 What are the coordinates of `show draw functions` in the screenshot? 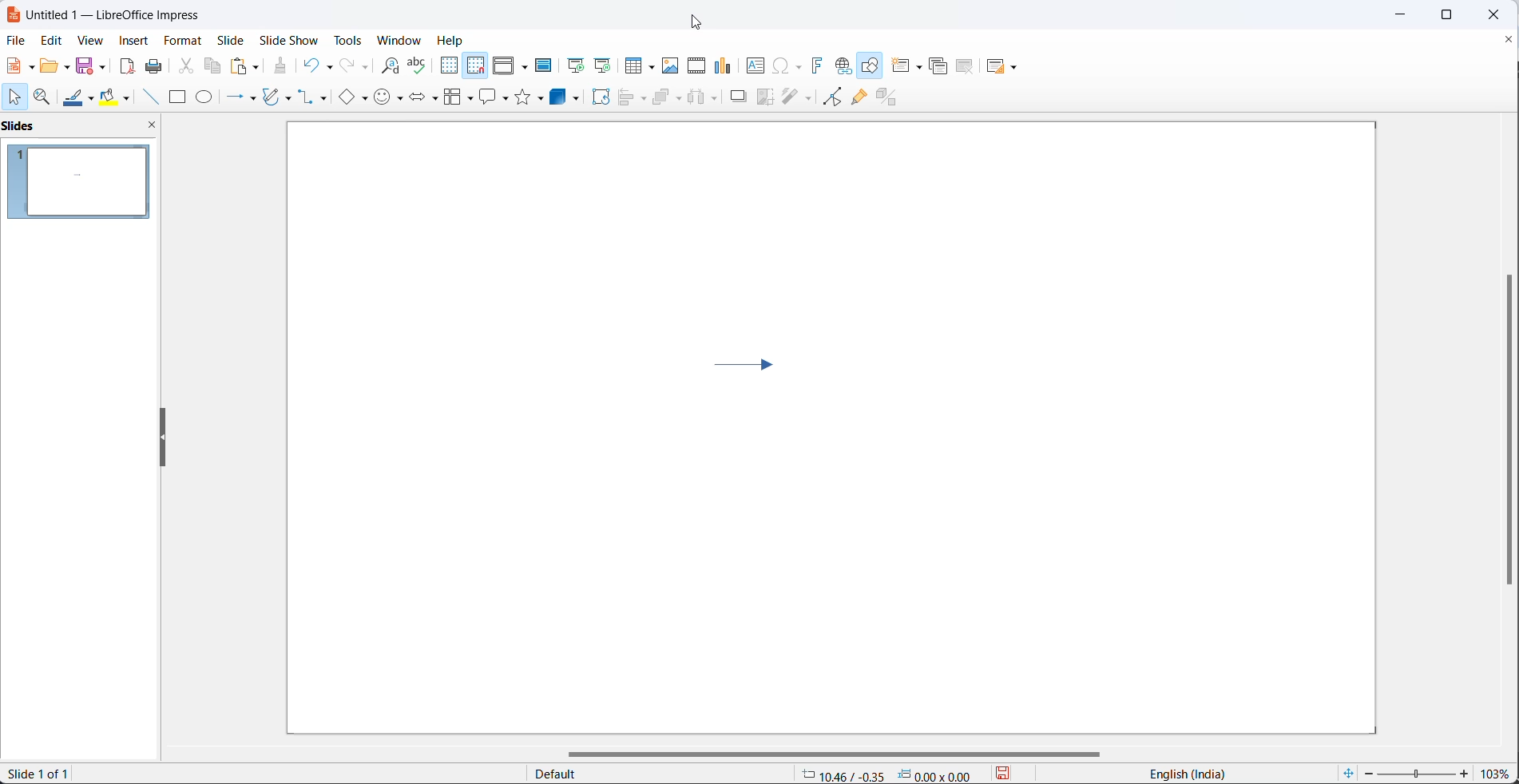 It's located at (871, 65).